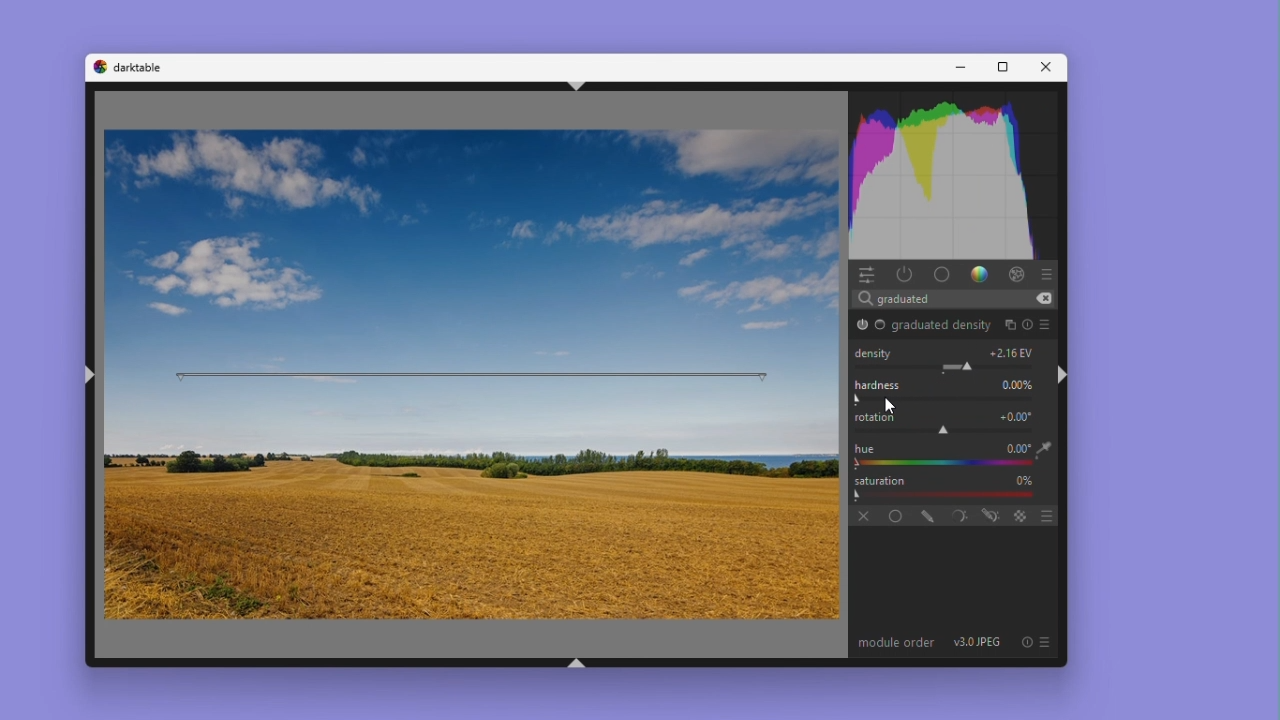  I want to click on presets, so click(1050, 272).